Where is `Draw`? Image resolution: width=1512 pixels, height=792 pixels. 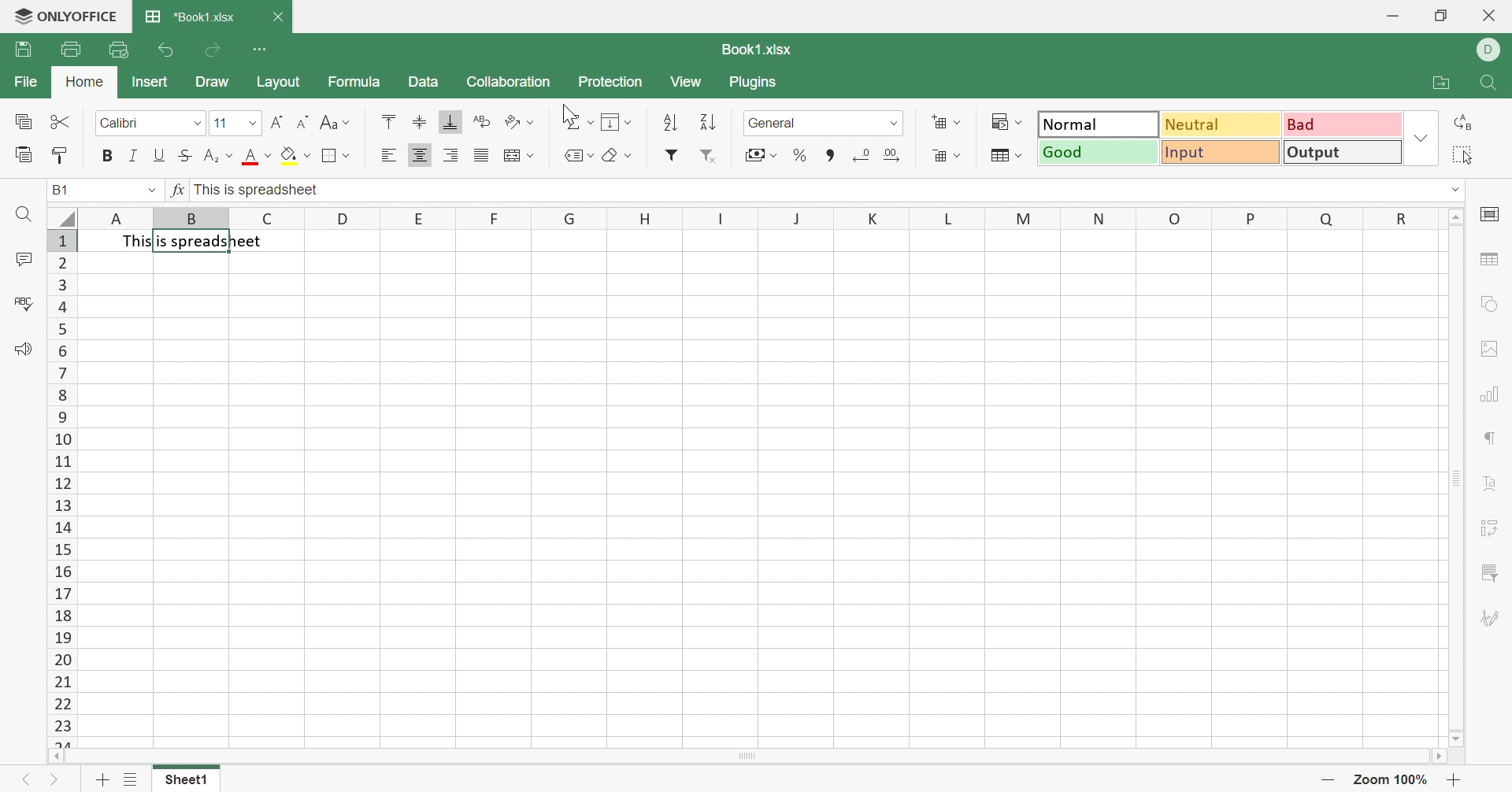
Draw is located at coordinates (211, 80).